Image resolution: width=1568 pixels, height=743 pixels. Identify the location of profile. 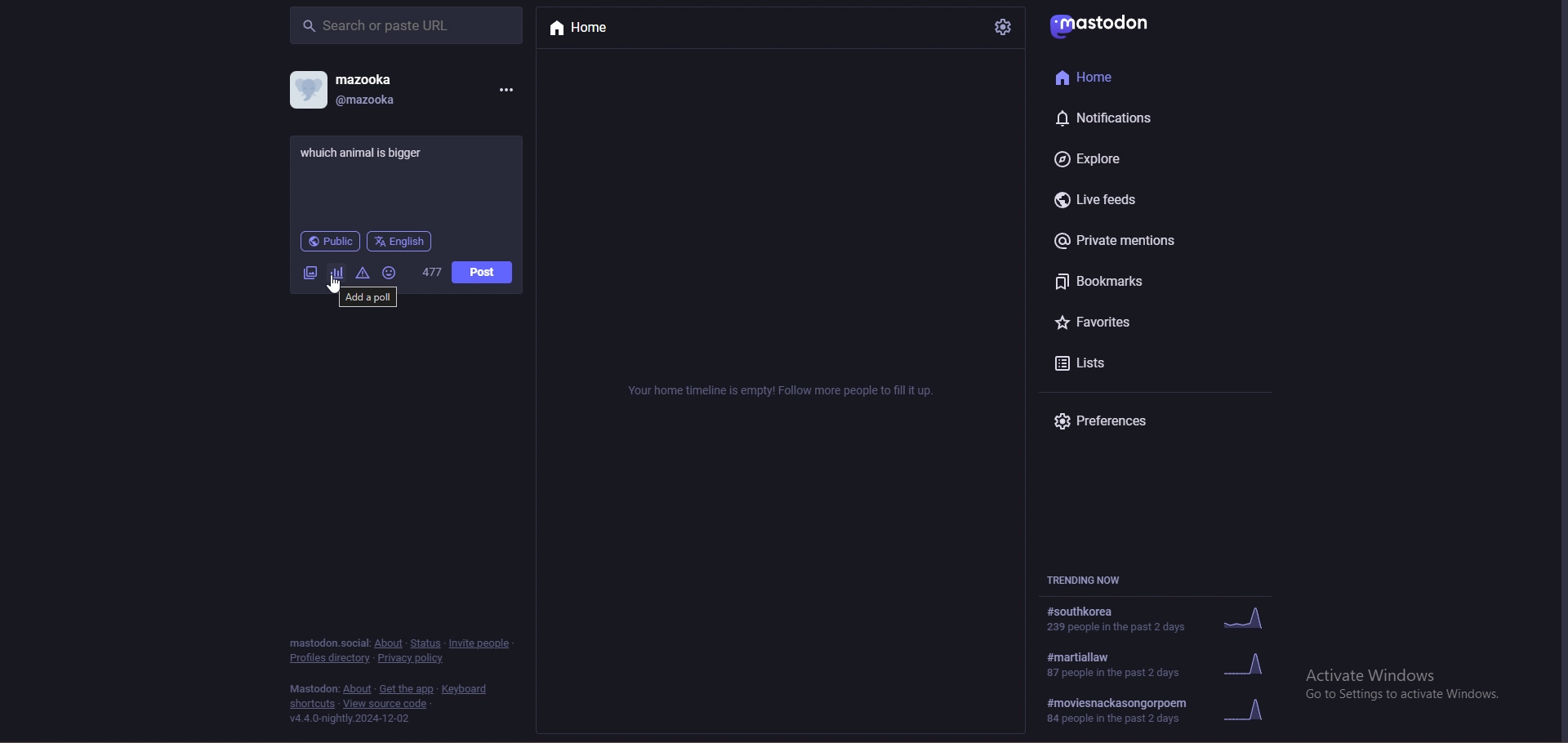
(307, 89).